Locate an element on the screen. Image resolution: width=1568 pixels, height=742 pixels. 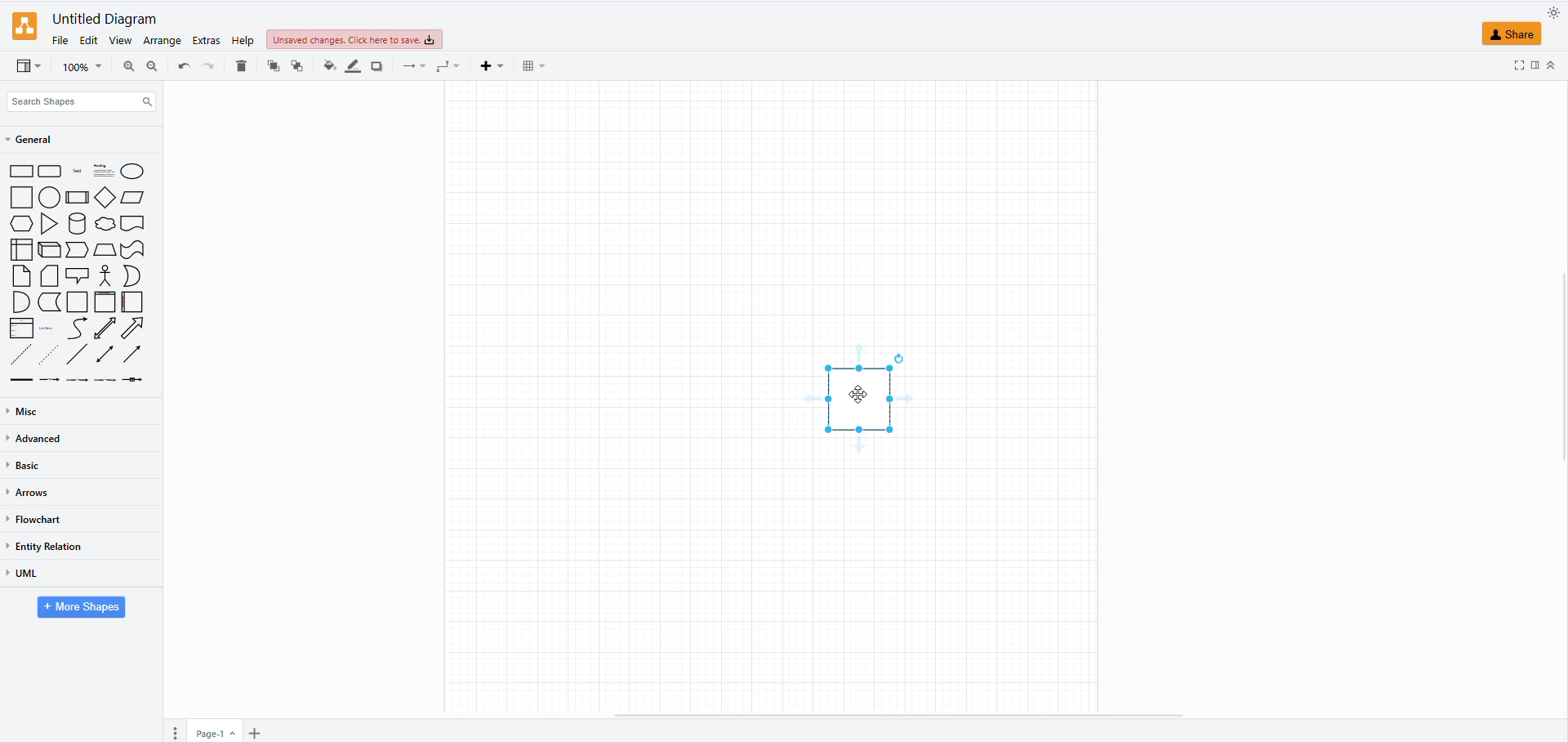
connector with 2 labels is located at coordinates (78, 382).